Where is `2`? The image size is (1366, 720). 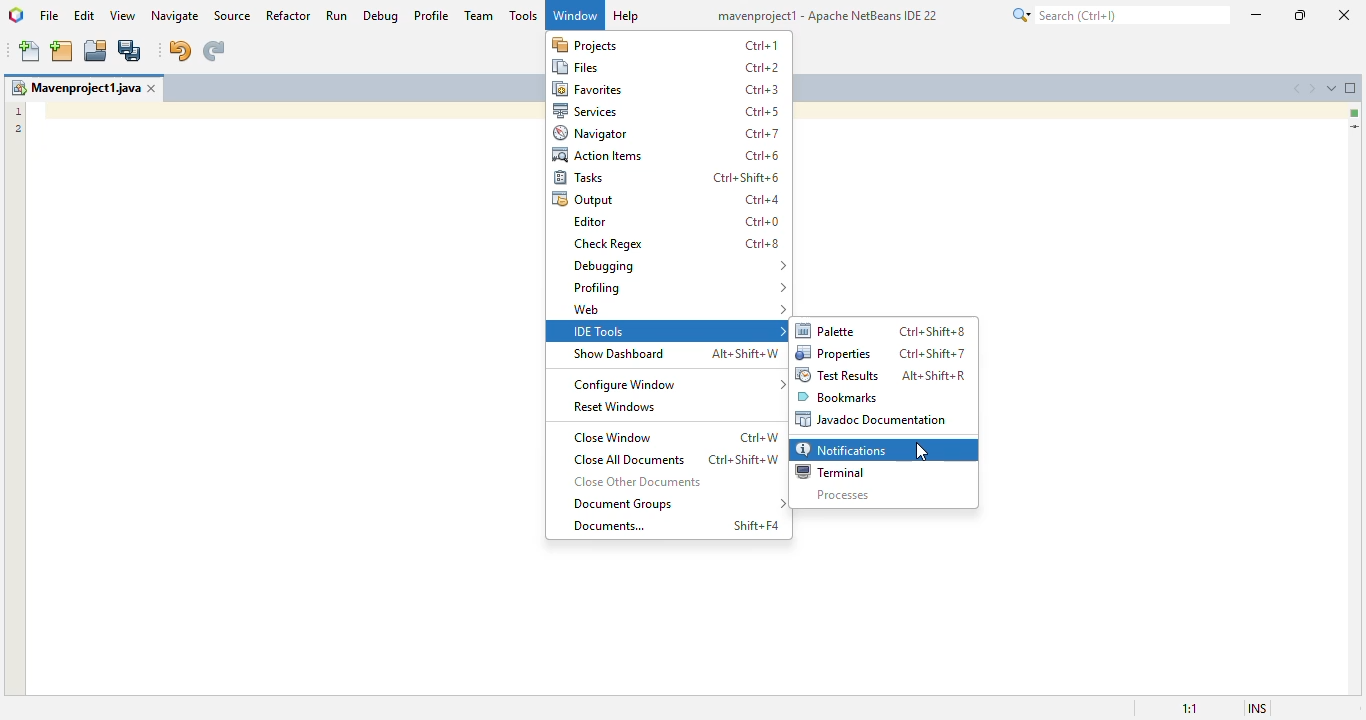 2 is located at coordinates (18, 130).